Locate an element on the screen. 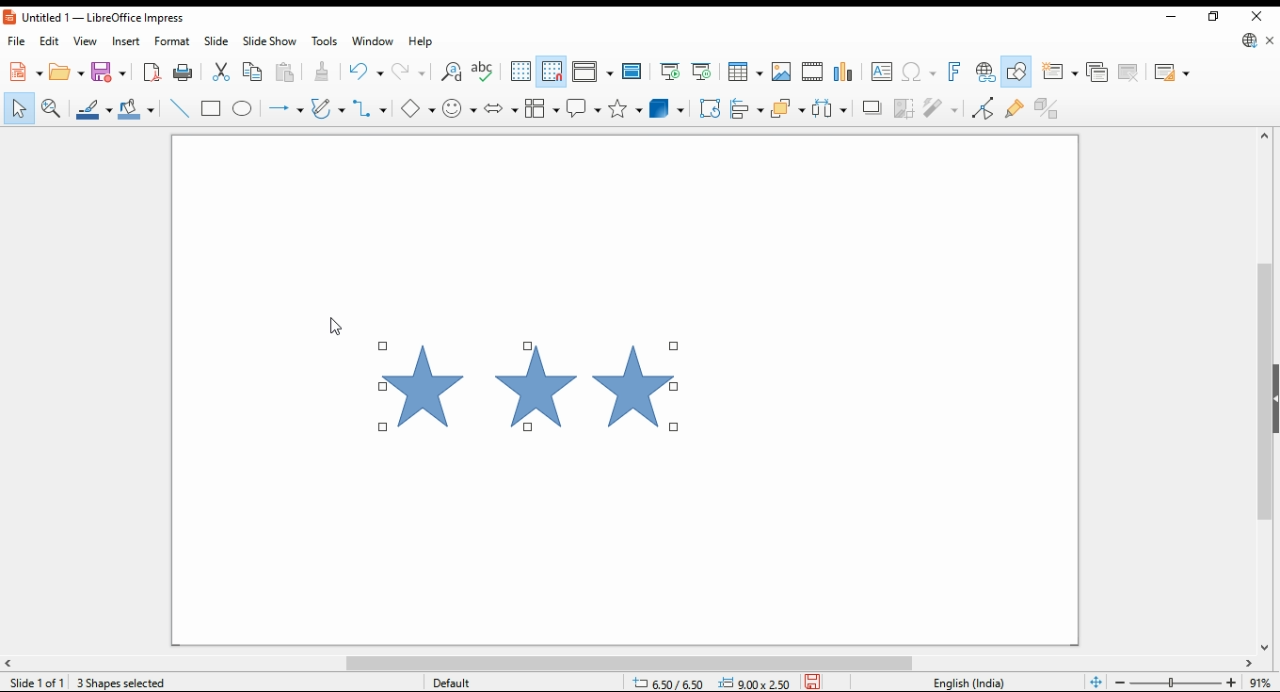  grouped is located at coordinates (531, 387).